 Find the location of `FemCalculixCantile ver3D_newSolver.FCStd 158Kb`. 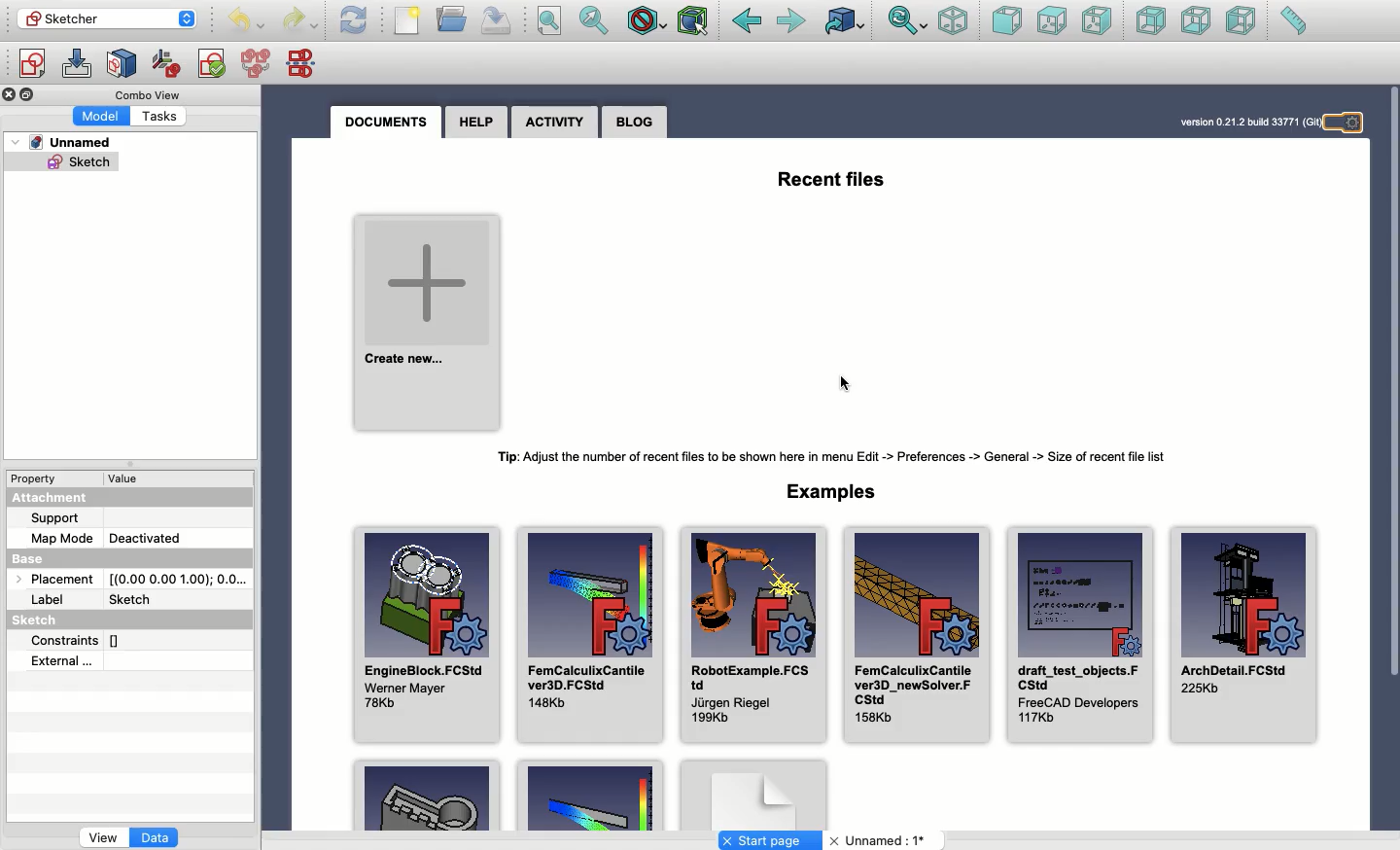

FemCalculixCantile ver3D_newSolver.FCStd 158Kb is located at coordinates (916, 633).